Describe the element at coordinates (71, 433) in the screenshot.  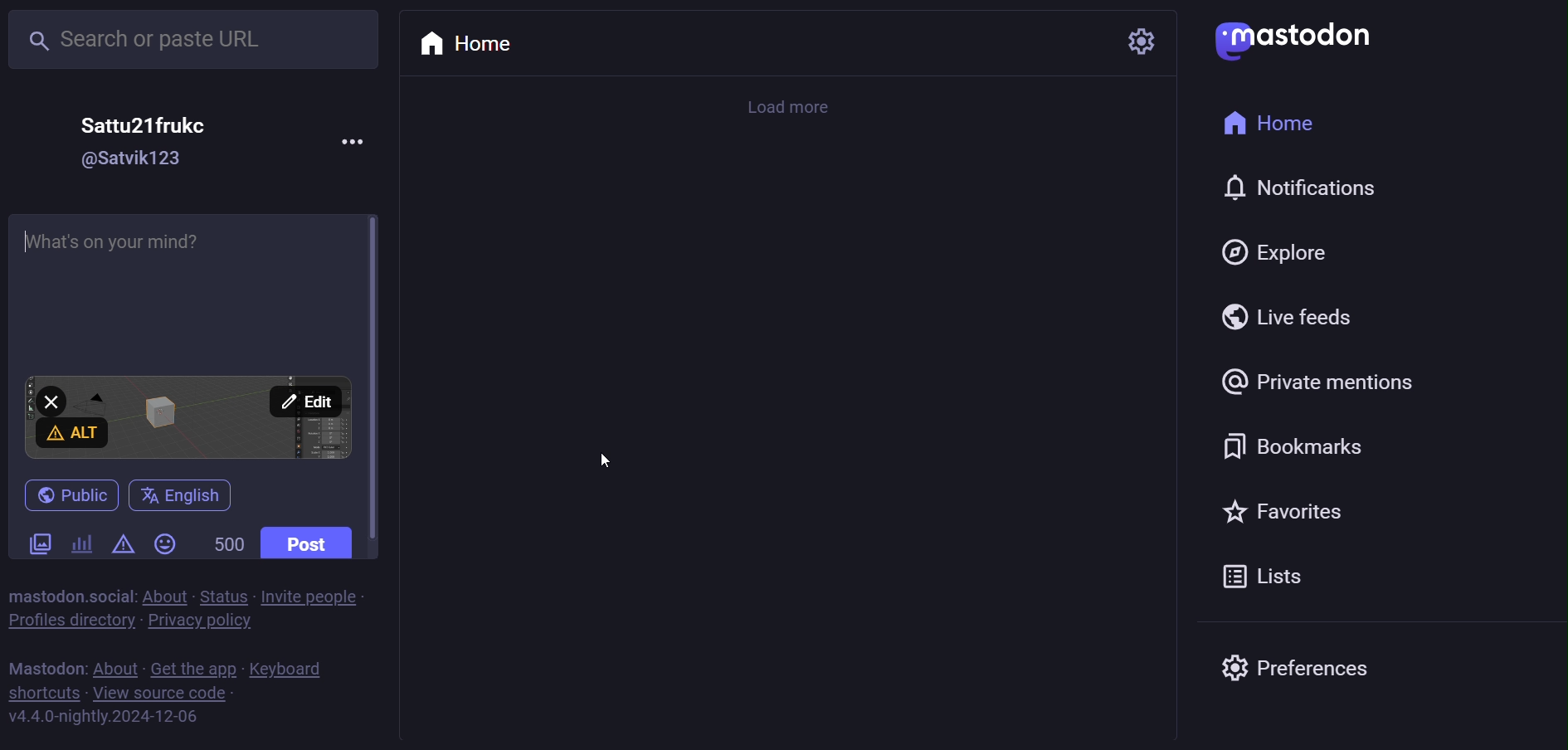
I see `alt` at that location.